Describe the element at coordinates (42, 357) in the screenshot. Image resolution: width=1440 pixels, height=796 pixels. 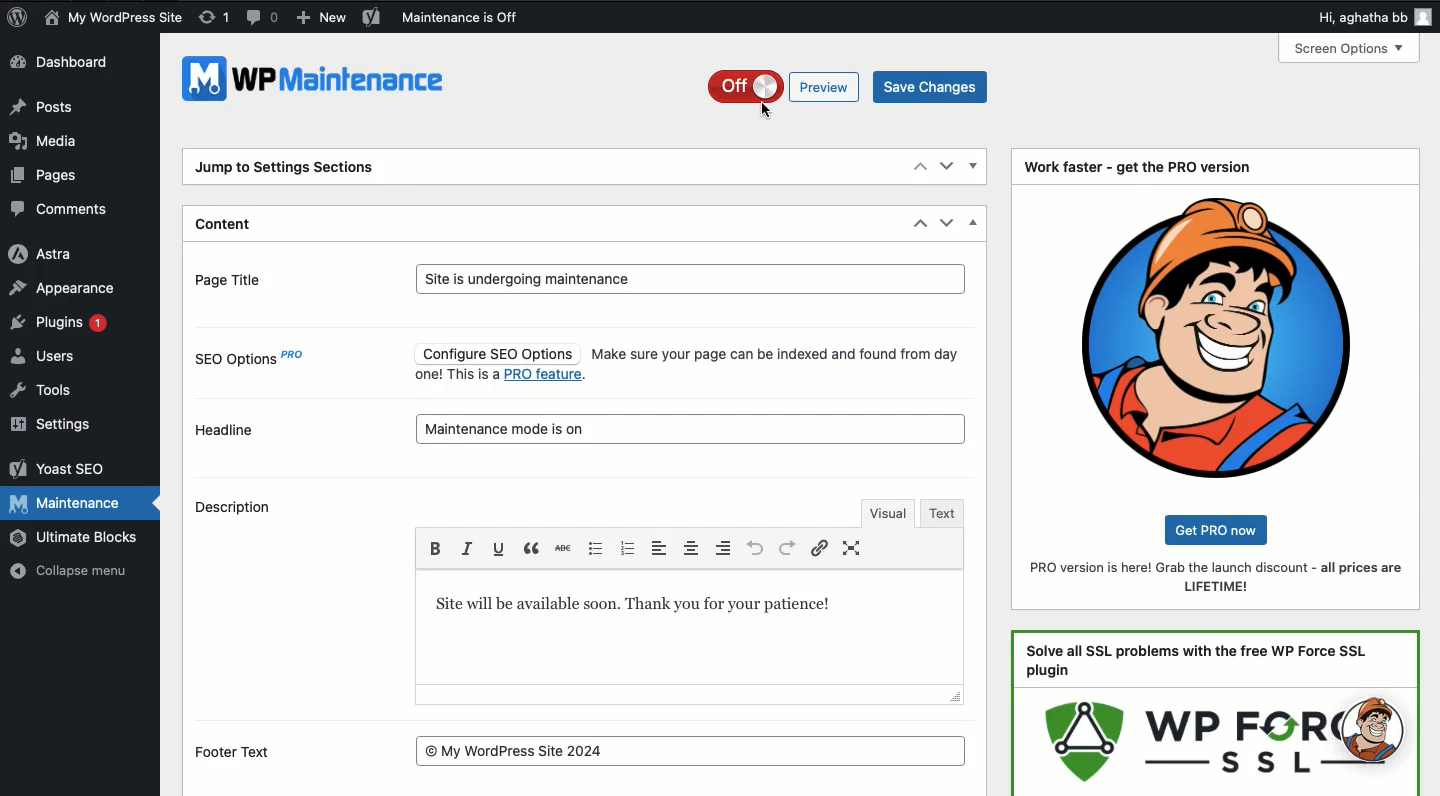
I see `Users` at that location.